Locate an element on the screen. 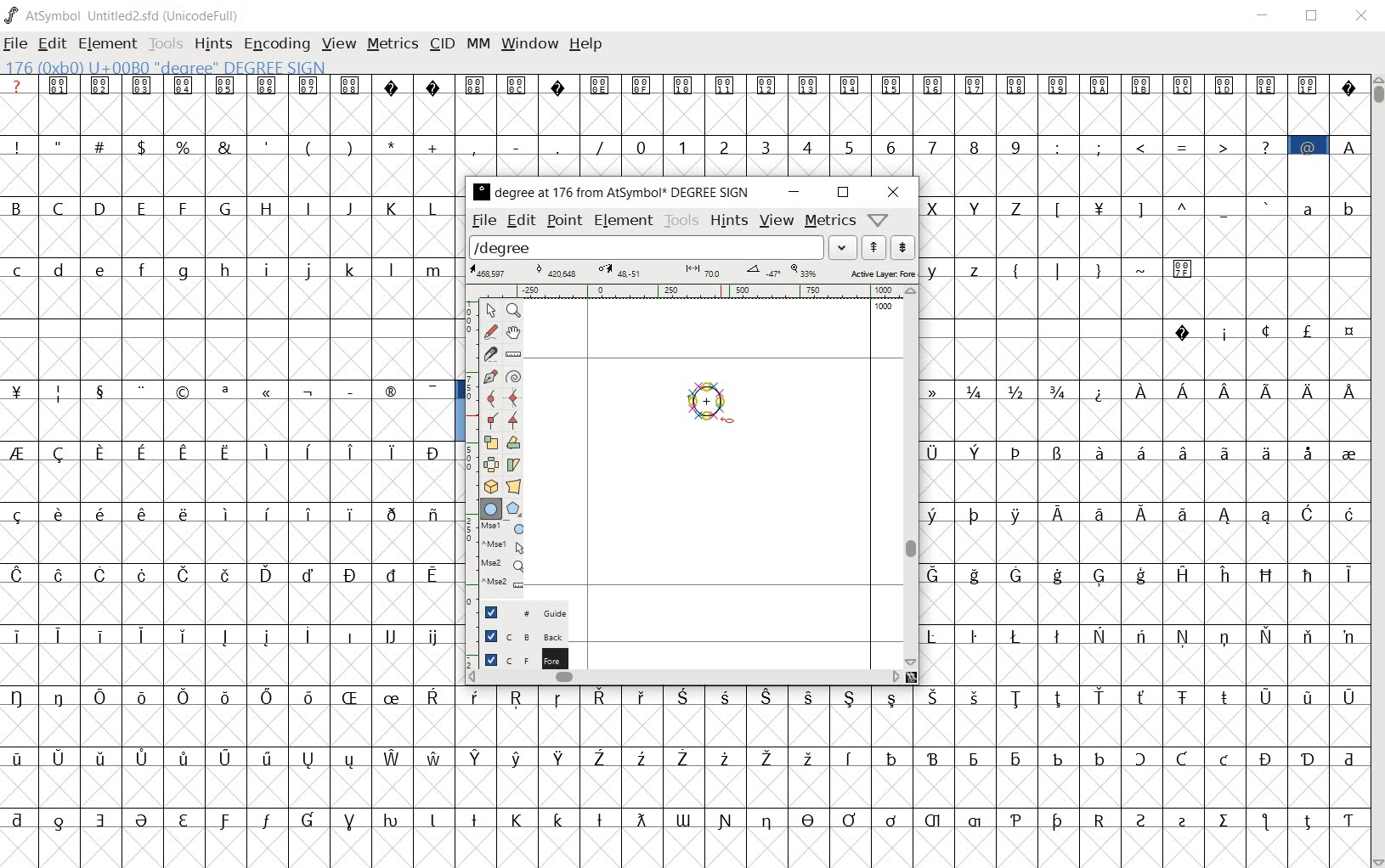 The height and width of the screenshot is (868, 1385). add a curve point is located at coordinates (491, 398).